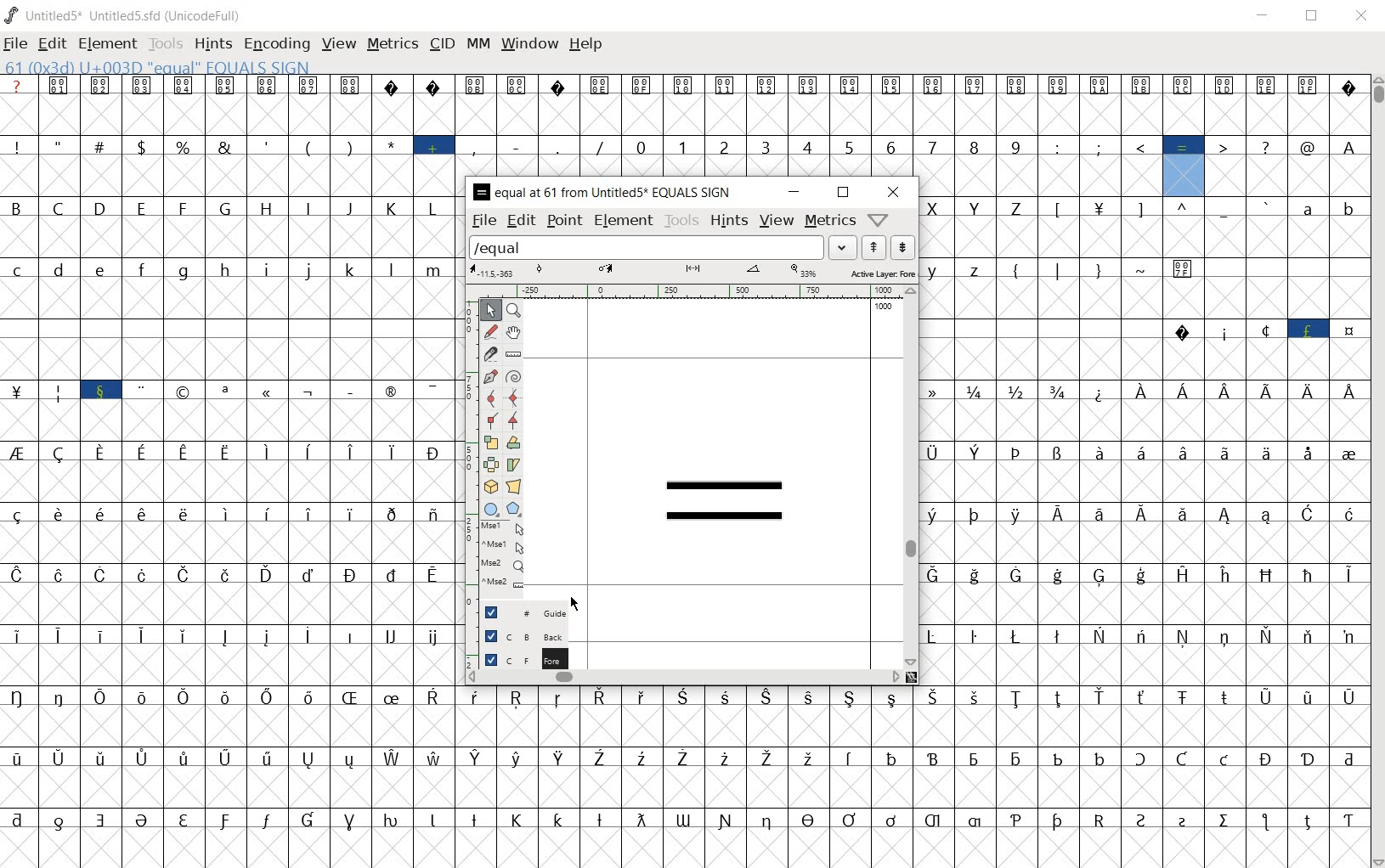 This screenshot has height=868, width=1385. I want to click on scroll by hand, so click(513, 332).